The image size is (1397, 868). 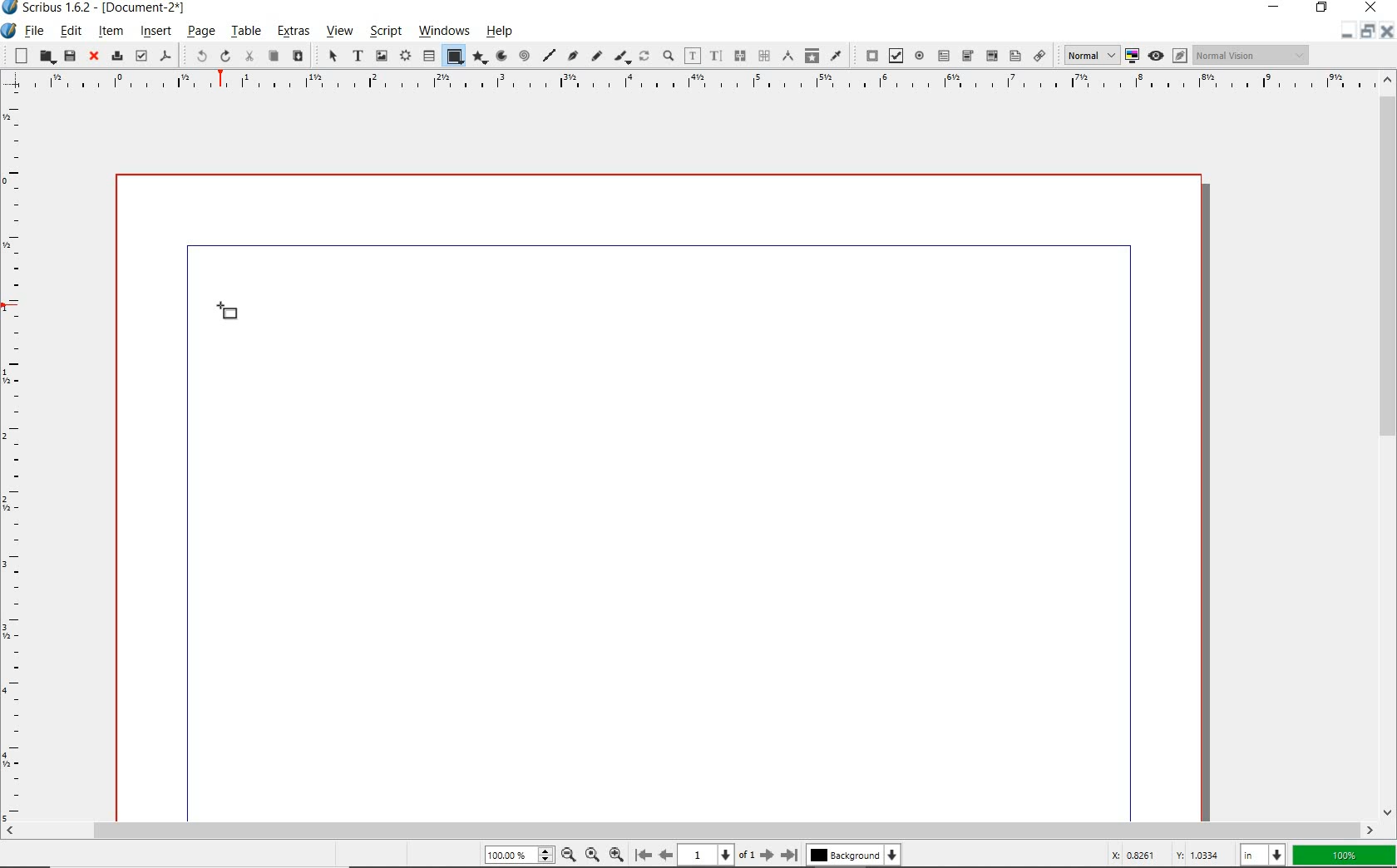 What do you see at coordinates (427, 55) in the screenshot?
I see `table` at bounding box center [427, 55].